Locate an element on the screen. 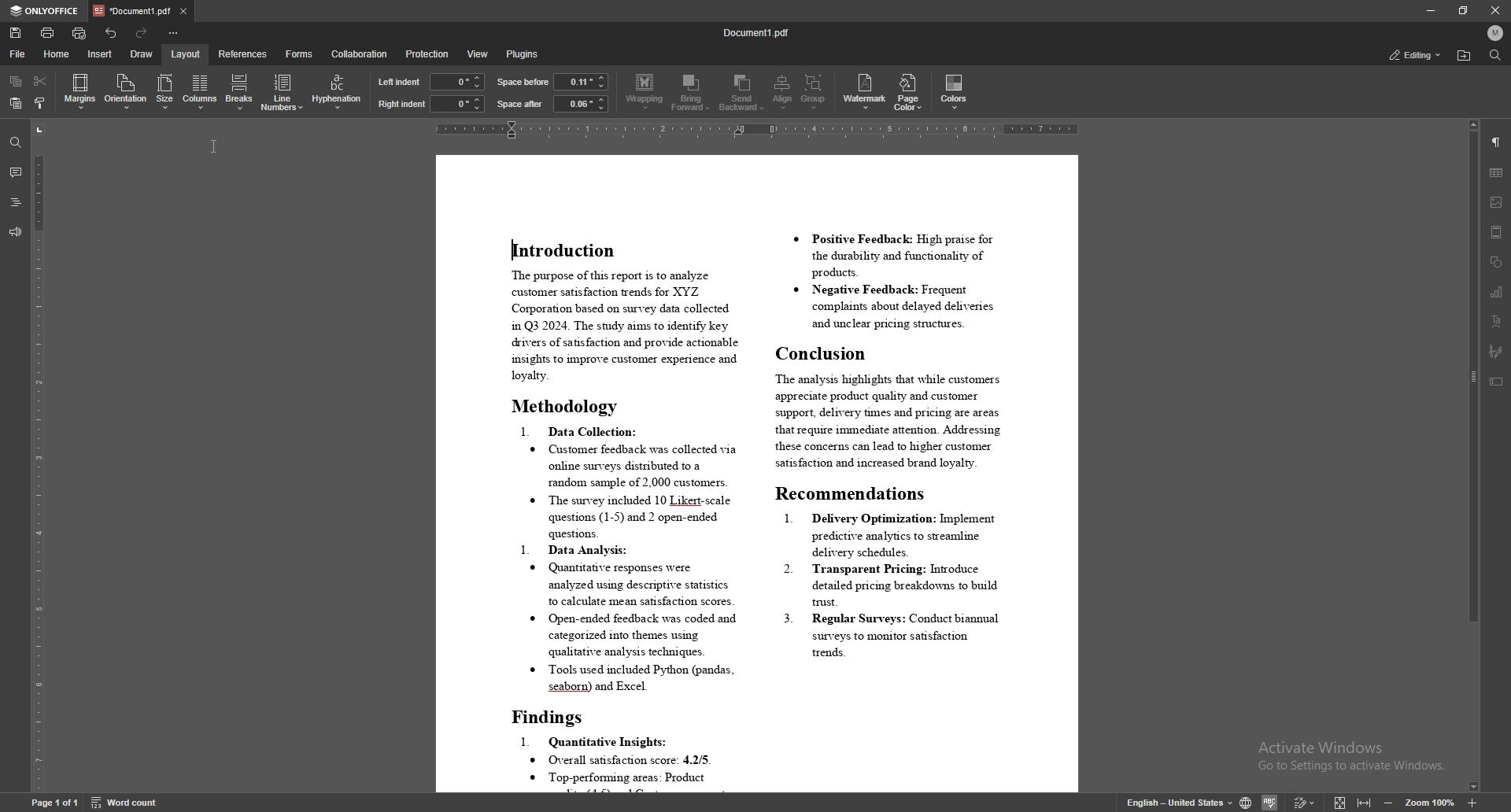 The width and height of the screenshot is (1511, 812). text box is located at coordinates (1498, 382).